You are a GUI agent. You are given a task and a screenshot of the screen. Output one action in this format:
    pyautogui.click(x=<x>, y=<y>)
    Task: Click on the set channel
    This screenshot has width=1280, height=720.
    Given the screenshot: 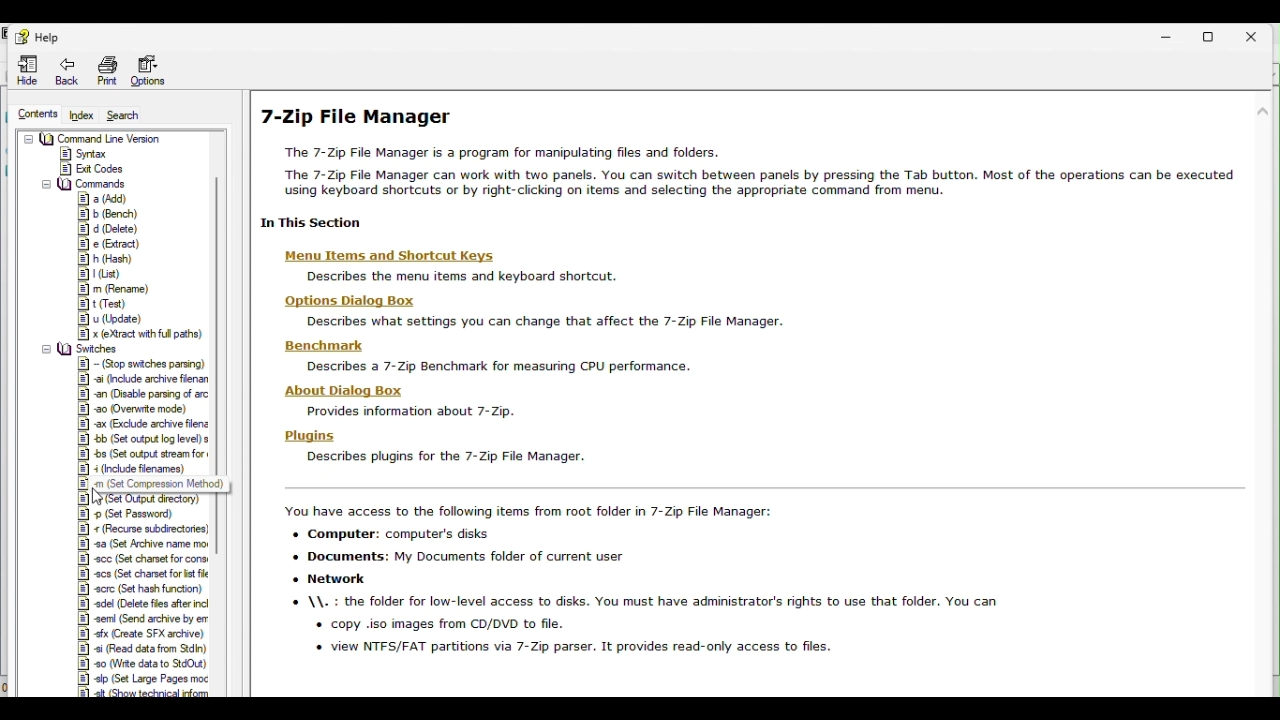 What is the action you would take?
    pyautogui.click(x=146, y=560)
    